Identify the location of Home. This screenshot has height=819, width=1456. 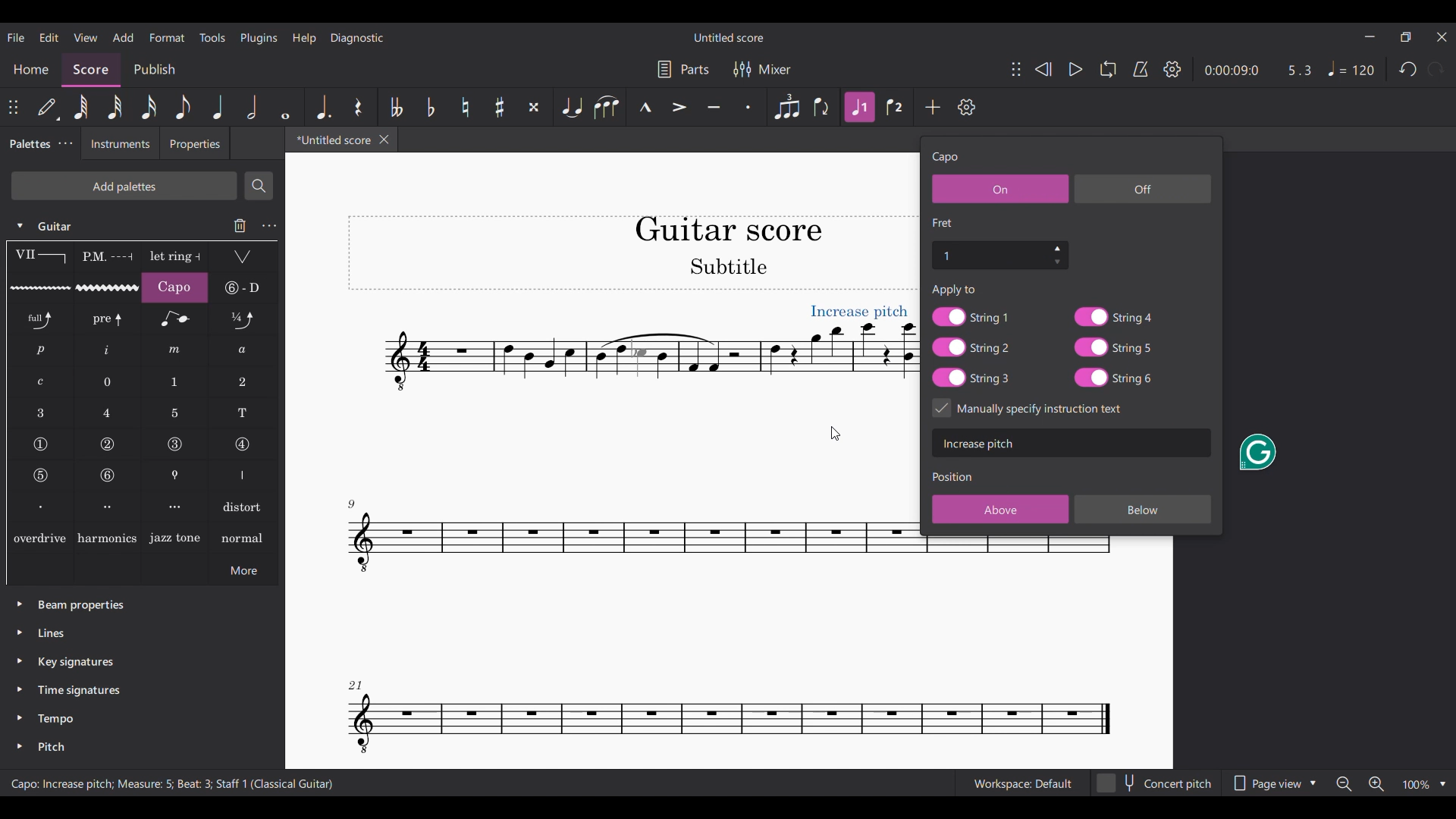
(30, 70).